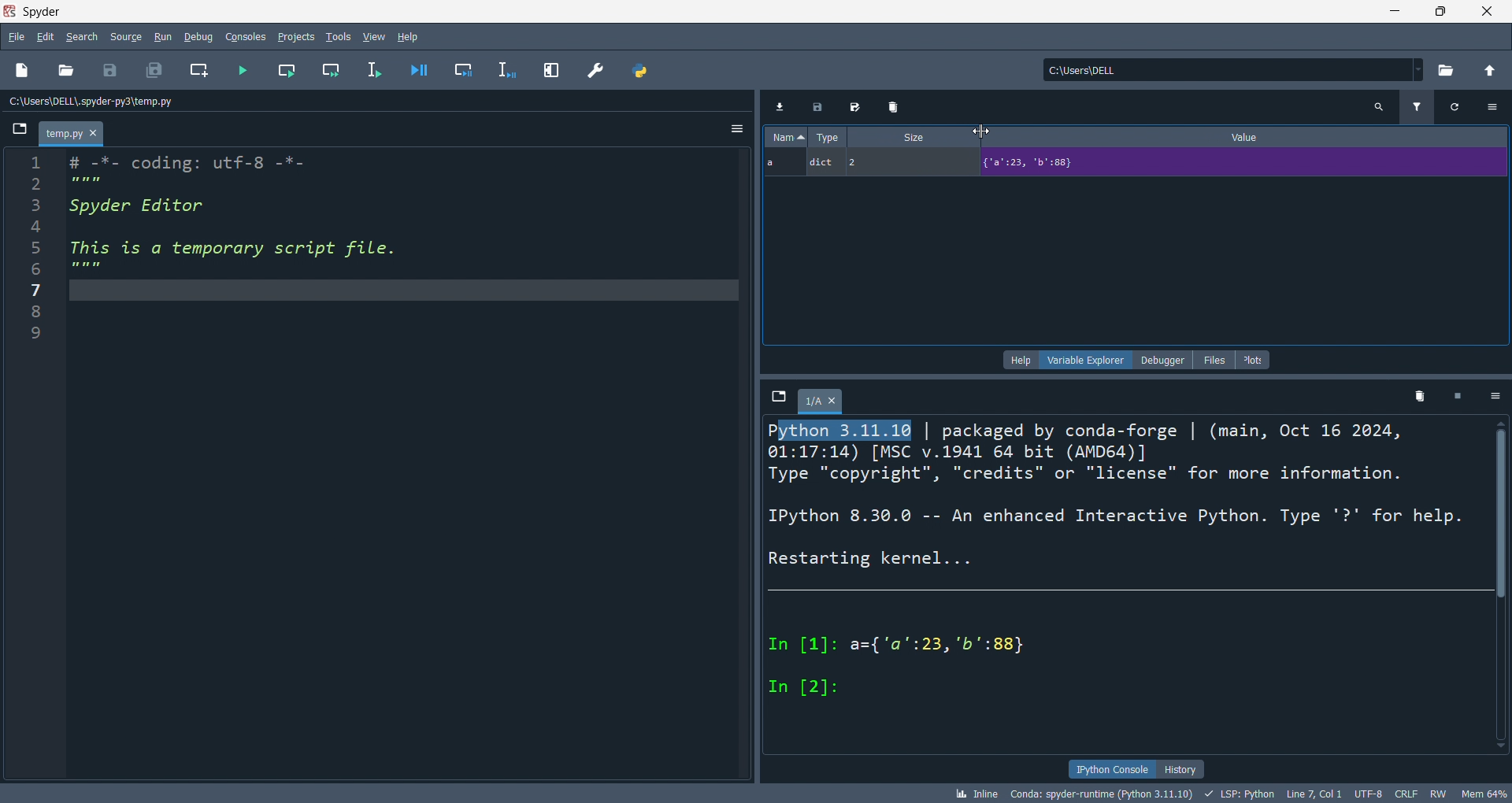  Describe the element at coordinates (506, 68) in the screenshot. I see `debug line` at that location.